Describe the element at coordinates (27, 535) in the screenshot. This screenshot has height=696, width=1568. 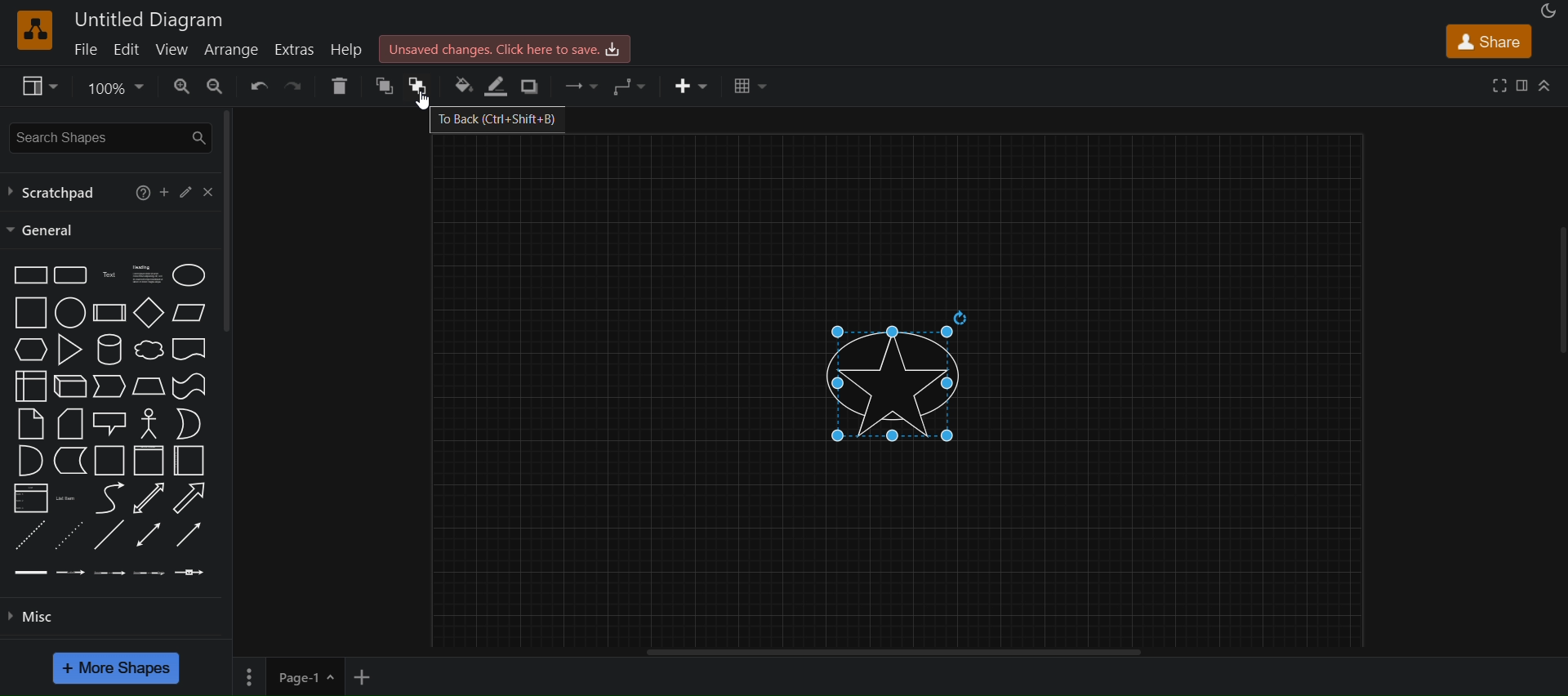
I see `dashed line` at that location.